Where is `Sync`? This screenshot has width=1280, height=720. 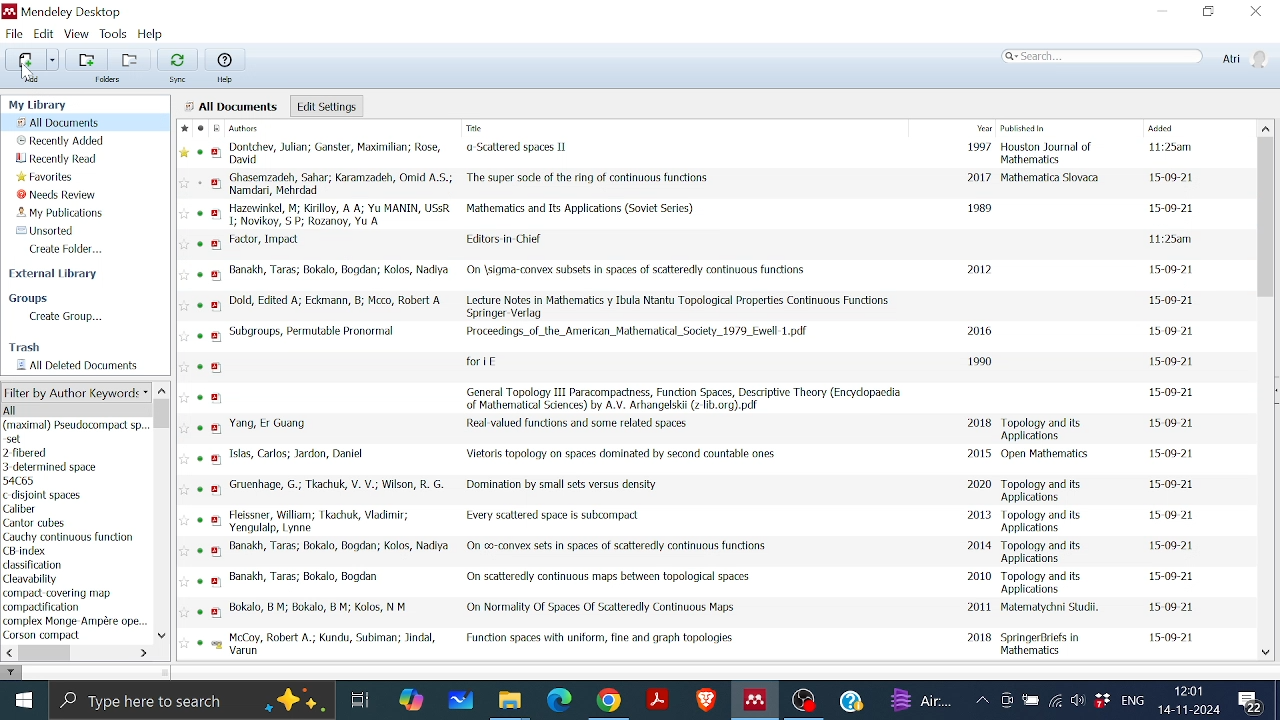
Sync is located at coordinates (179, 80).